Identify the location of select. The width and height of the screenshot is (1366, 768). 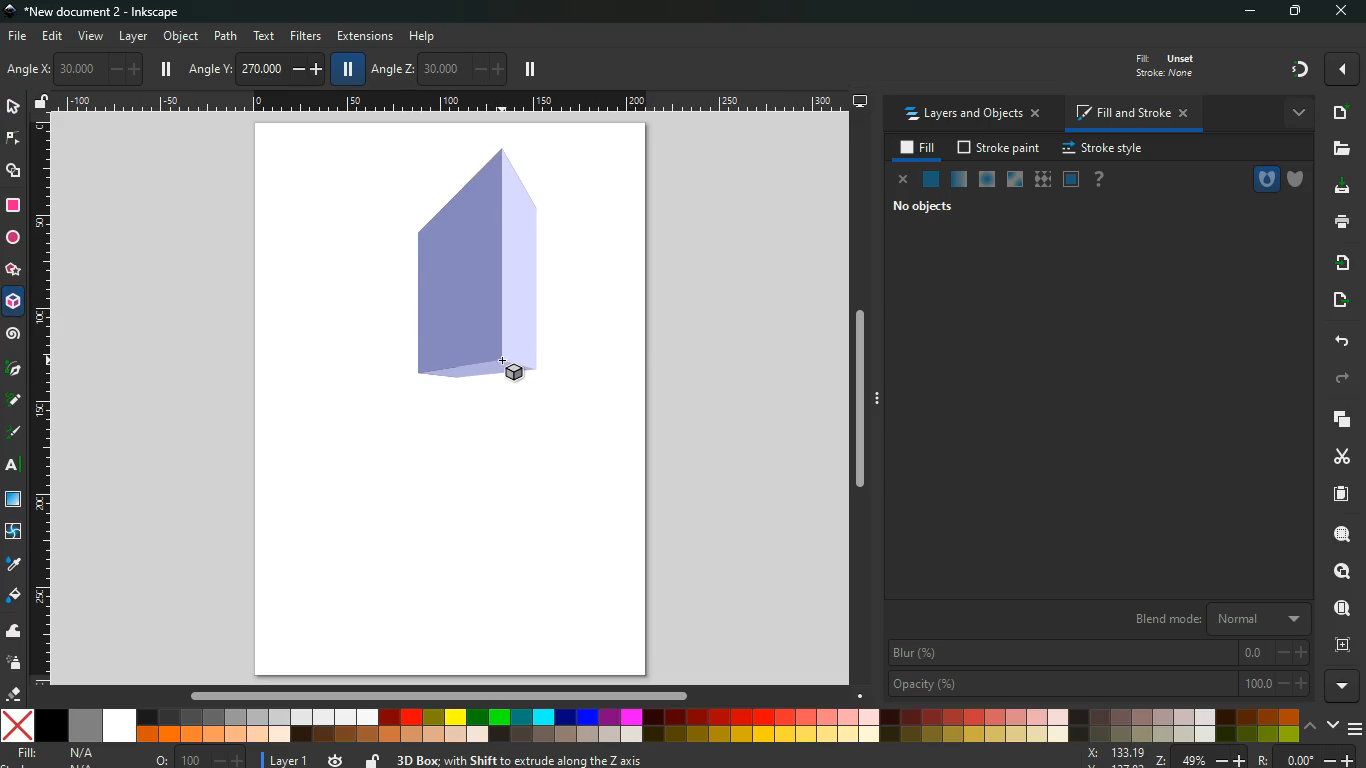
(15, 108).